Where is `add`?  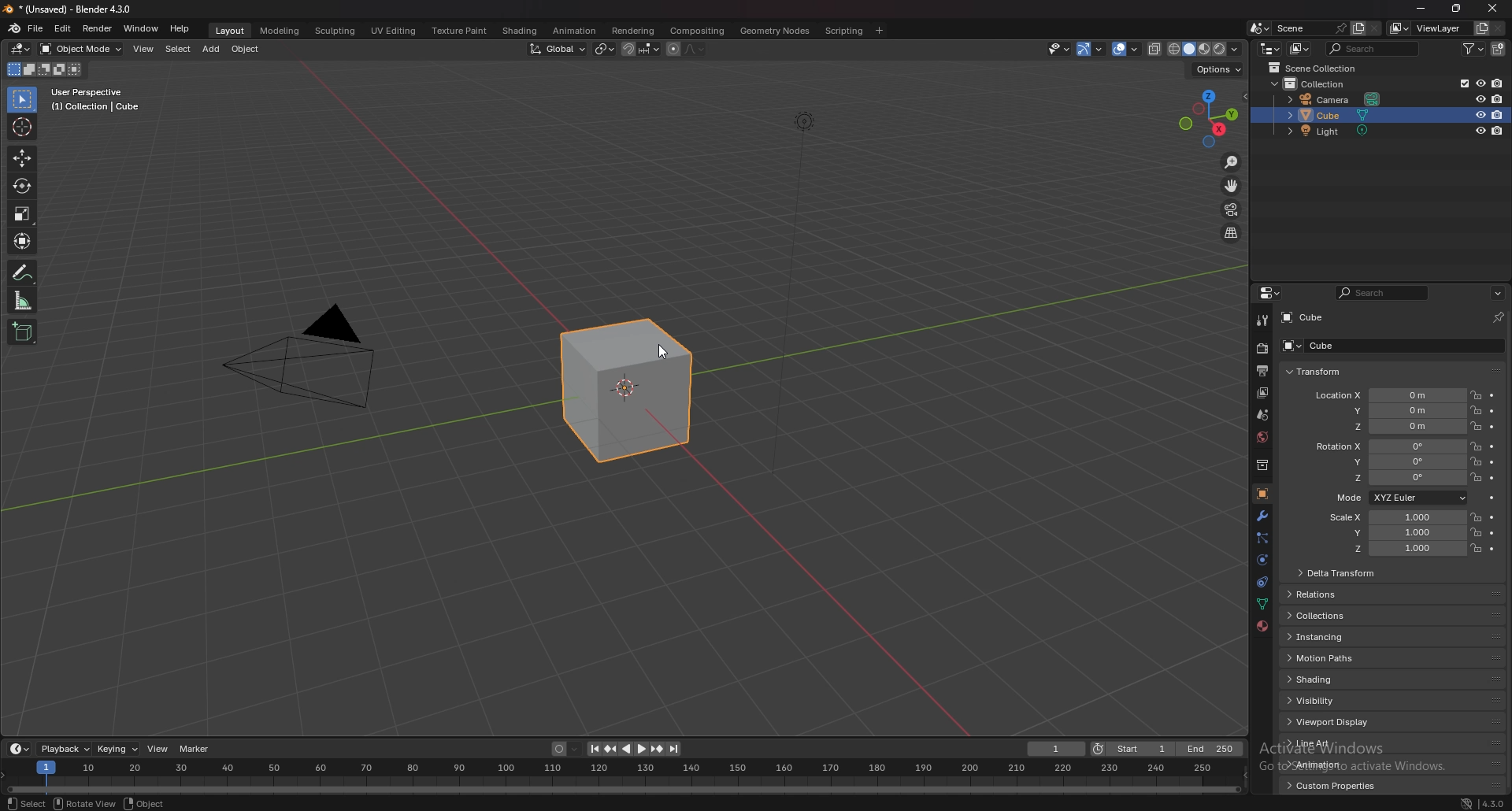 add is located at coordinates (212, 49).